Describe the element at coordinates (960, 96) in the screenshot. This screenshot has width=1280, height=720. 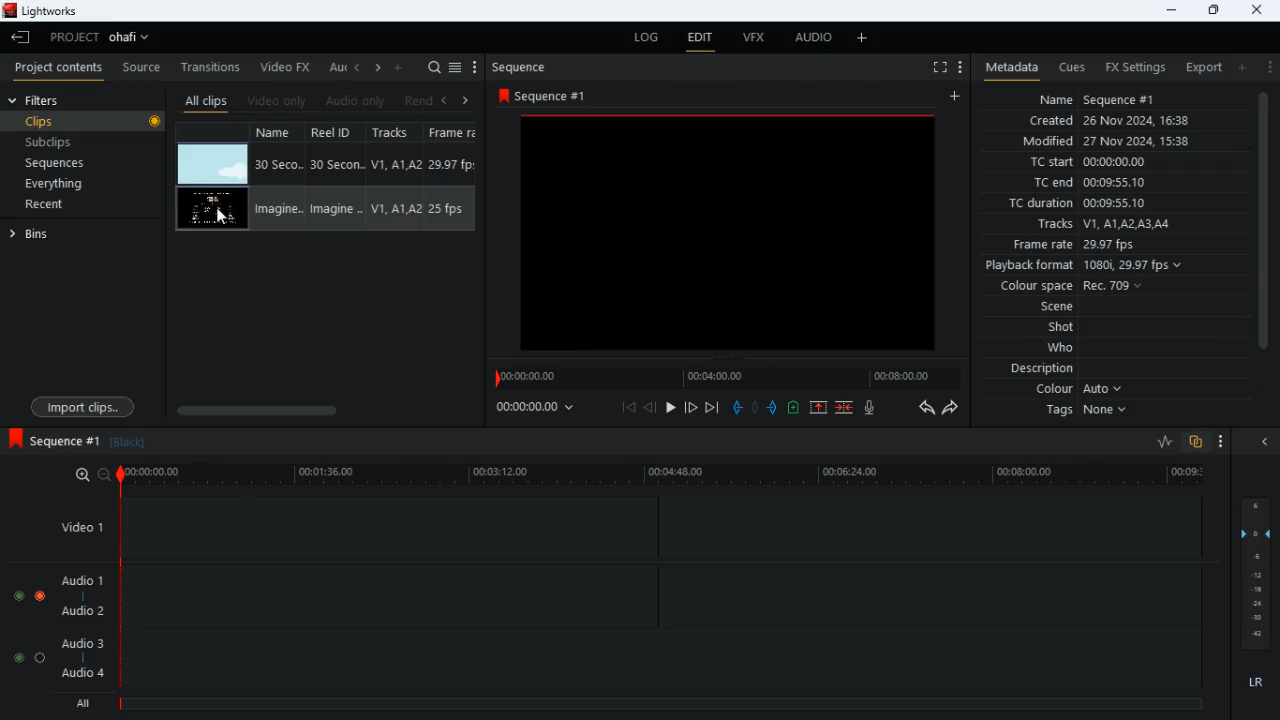
I see `add` at that location.